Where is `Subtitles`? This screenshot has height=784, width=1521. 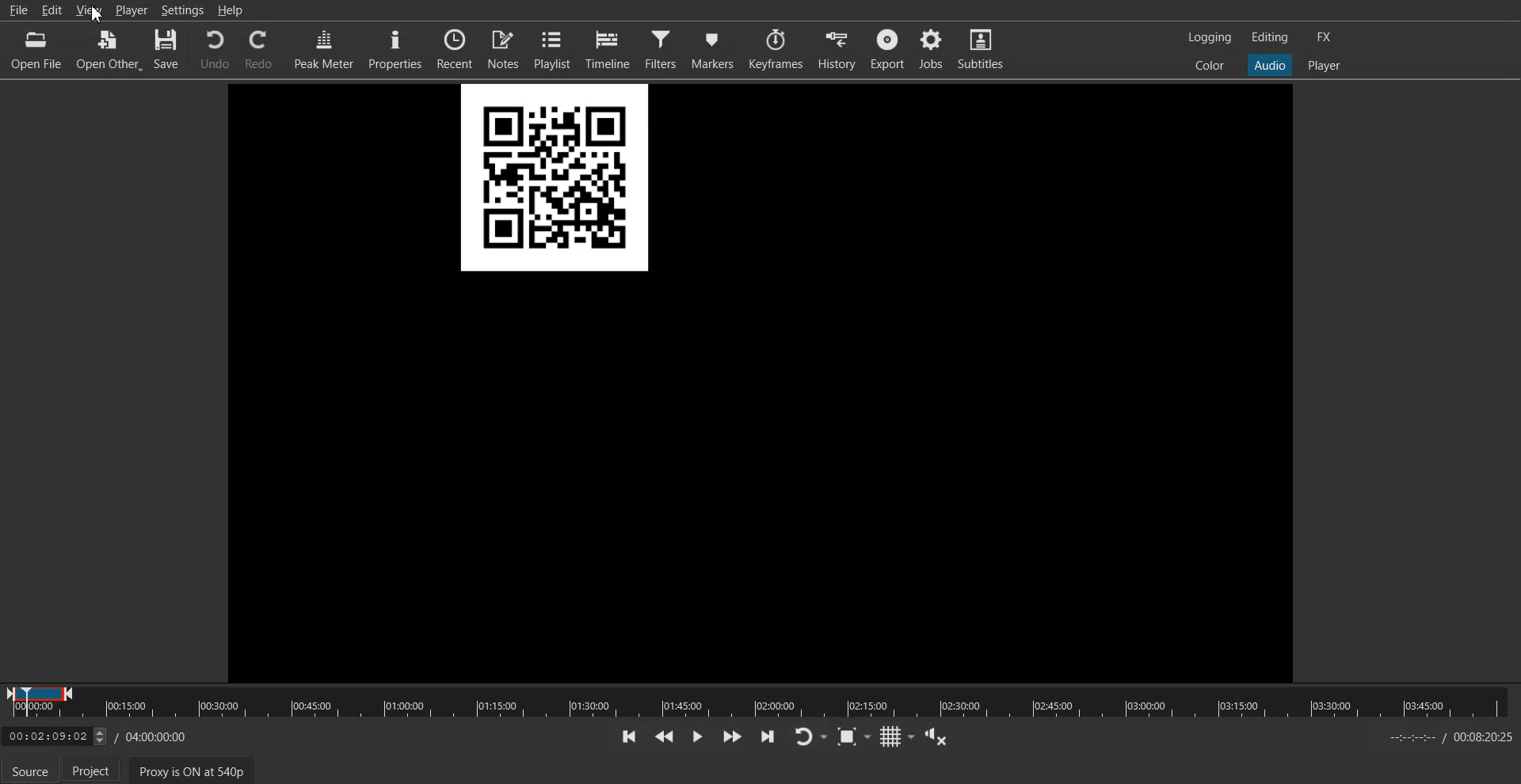 Subtitles is located at coordinates (981, 51).